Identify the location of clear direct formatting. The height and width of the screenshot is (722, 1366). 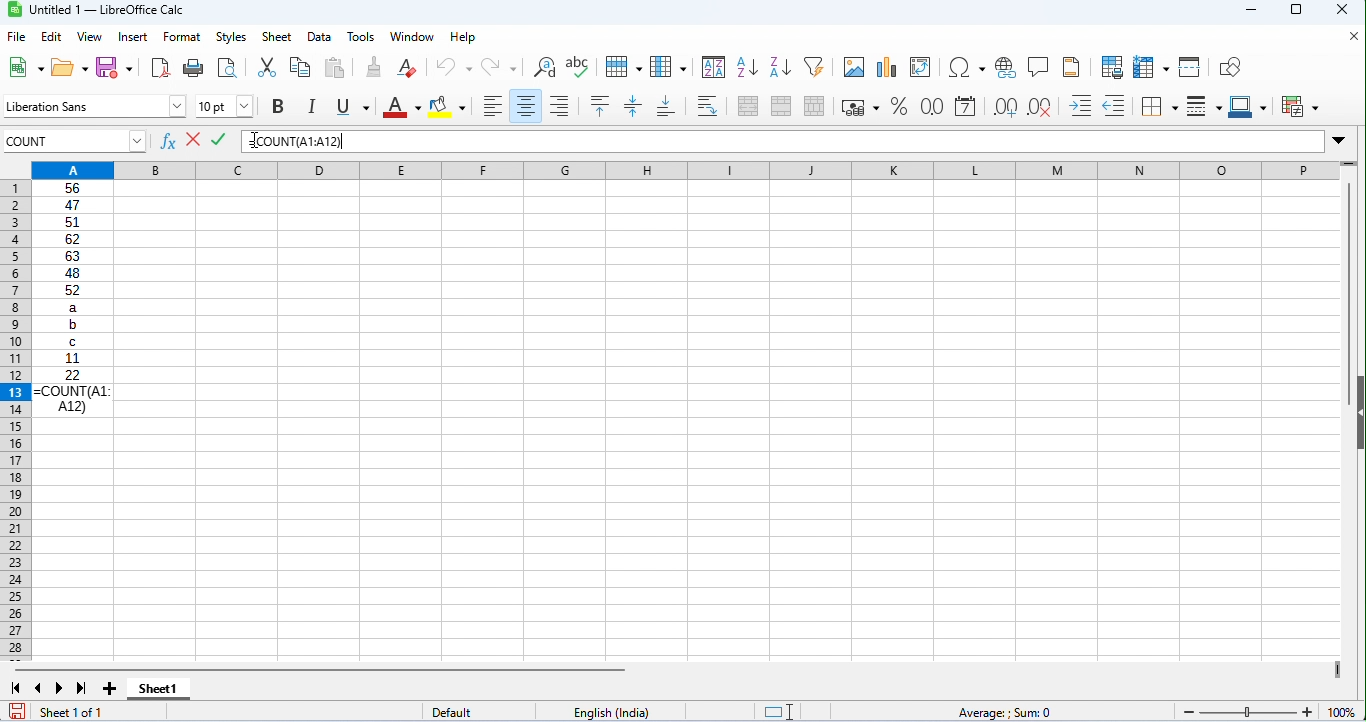
(407, 68).